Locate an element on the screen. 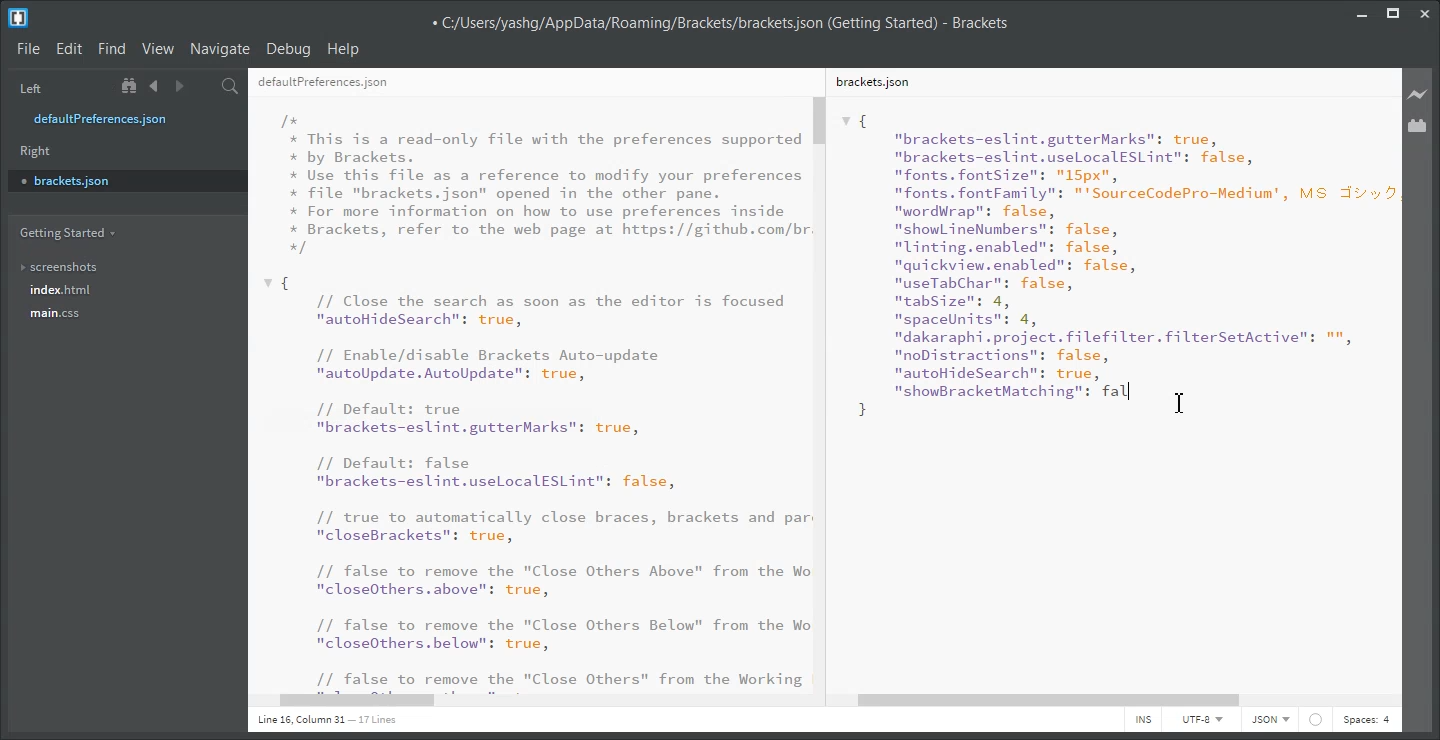 The width and height of the screenshot is (1440, 740). Horizontal Scroll Bar is located at coordinates (1116, 701).